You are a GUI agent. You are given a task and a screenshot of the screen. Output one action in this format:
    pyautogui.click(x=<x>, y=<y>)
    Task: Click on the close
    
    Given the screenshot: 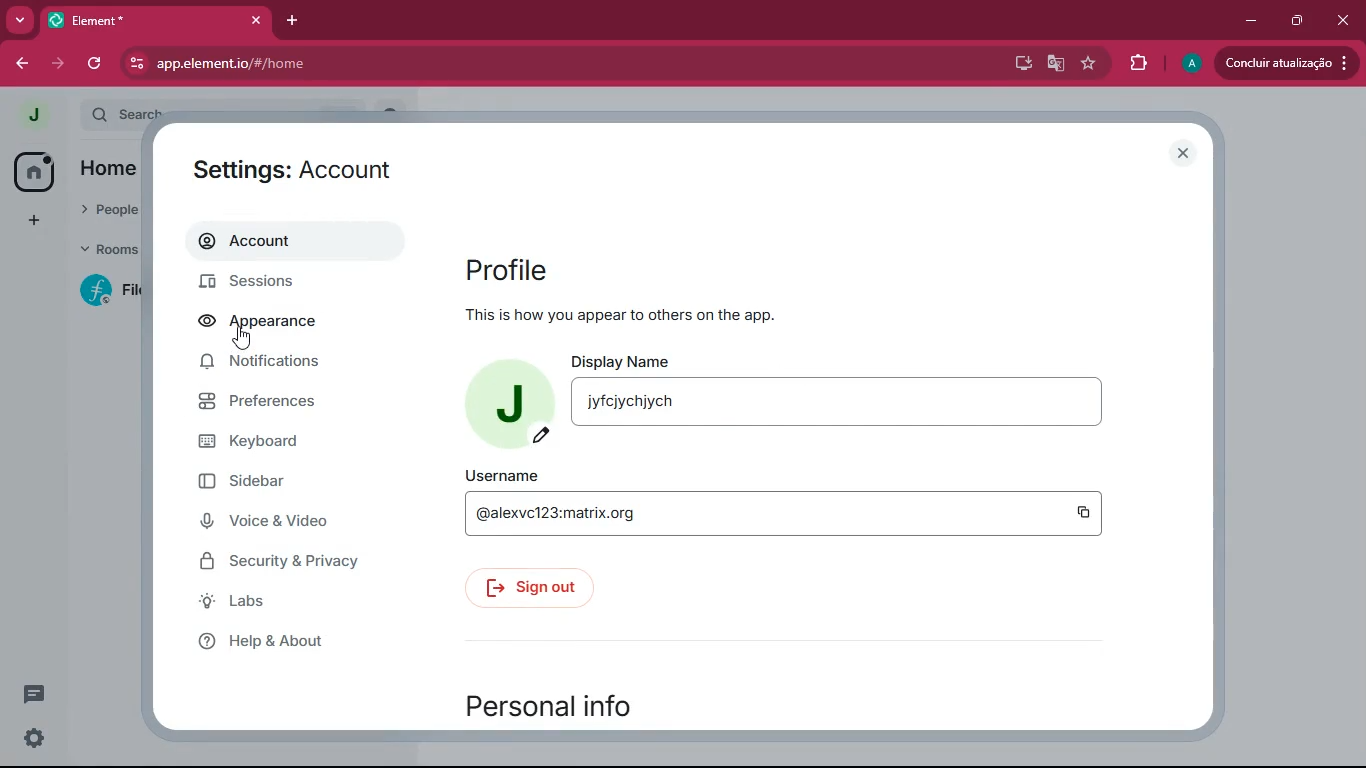 What is the action you would take?
    pyautogui.click(x=1182, y=150)
    